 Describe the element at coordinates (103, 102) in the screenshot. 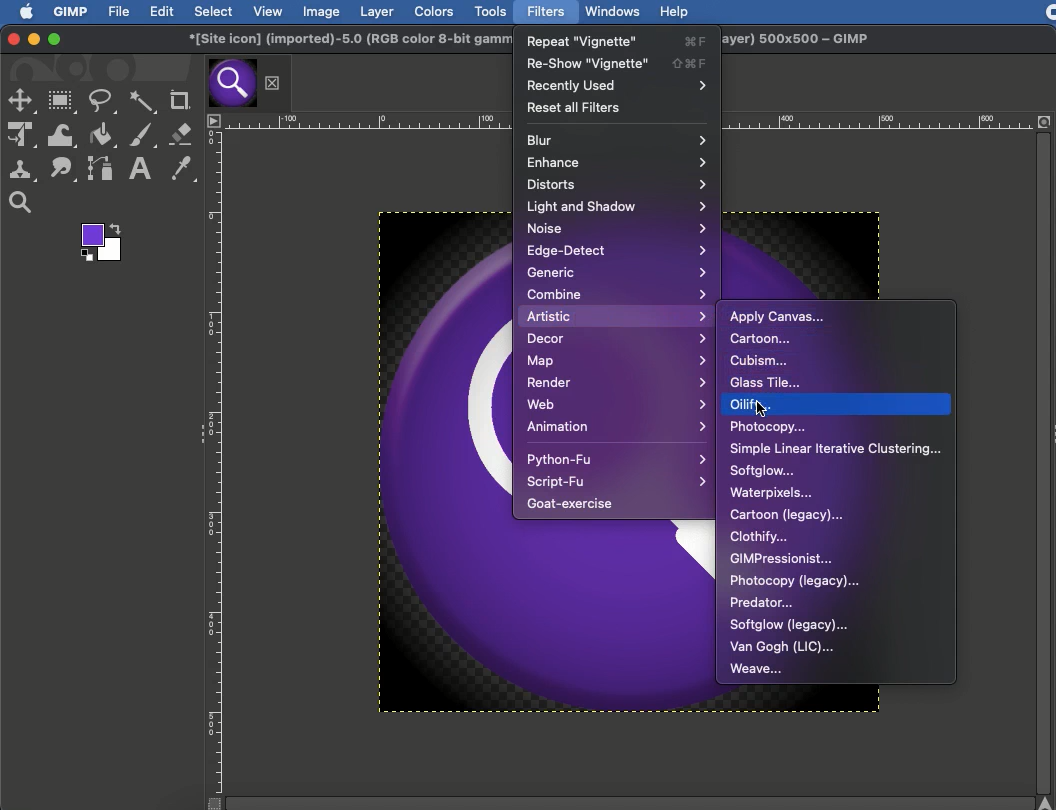

I see `Freeform selection` at that location.